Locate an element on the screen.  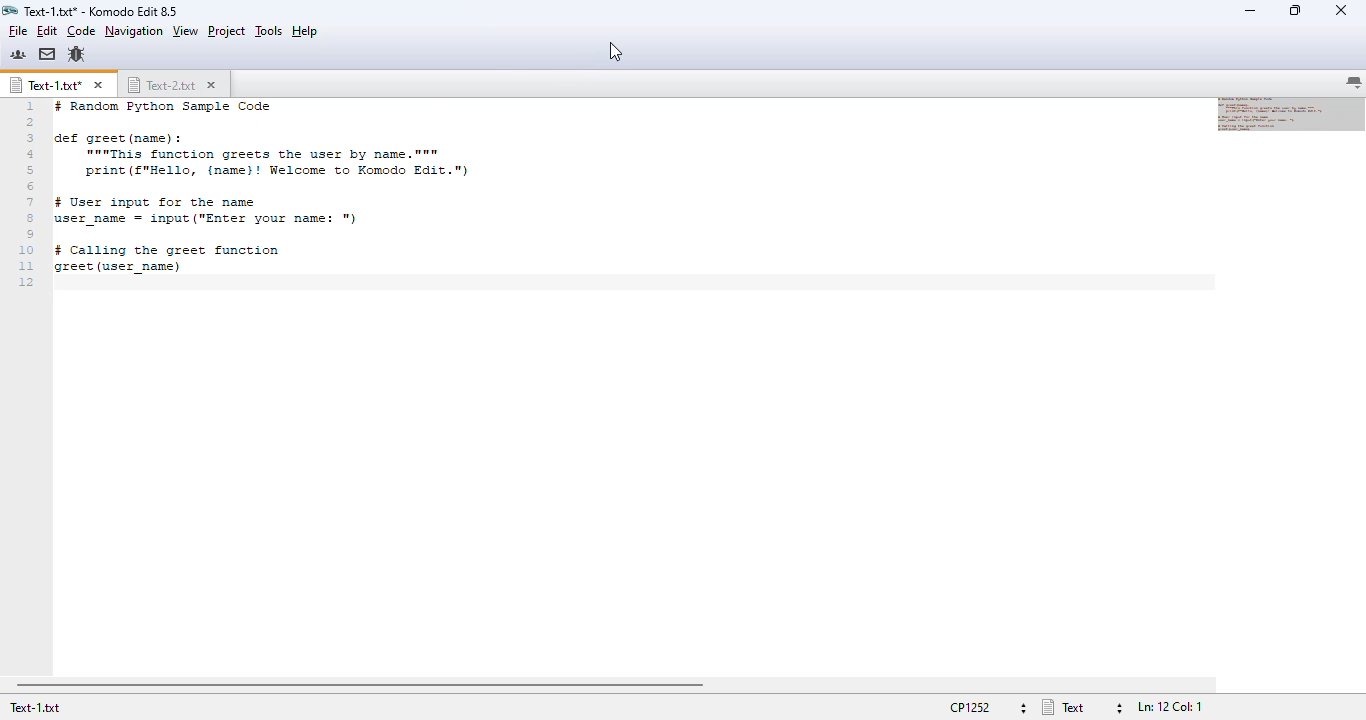
title is located at coordinates (99, 11).